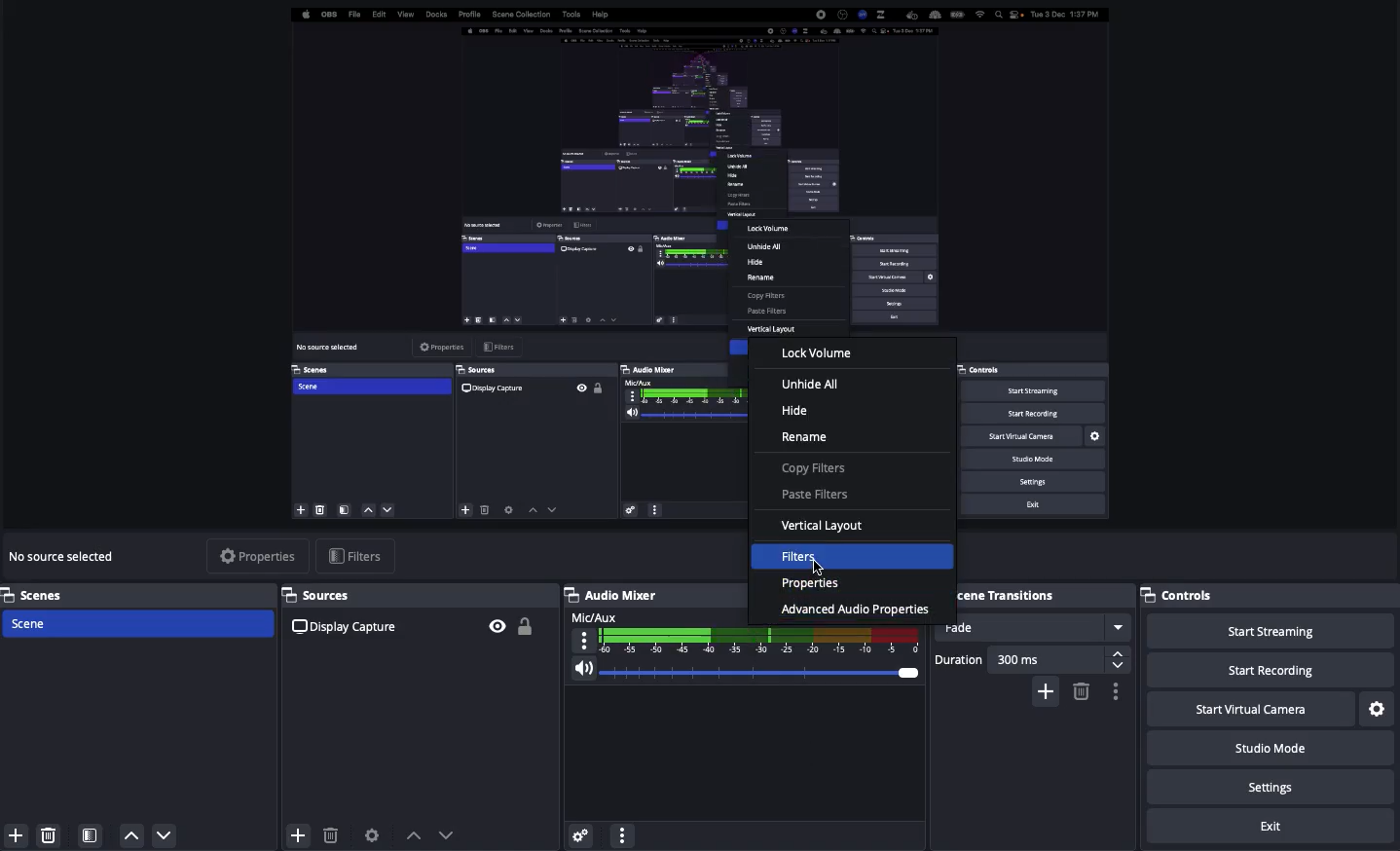  Describe the element at coordinates (1273, 827) in the screenshot. I see `Exit` at that location.